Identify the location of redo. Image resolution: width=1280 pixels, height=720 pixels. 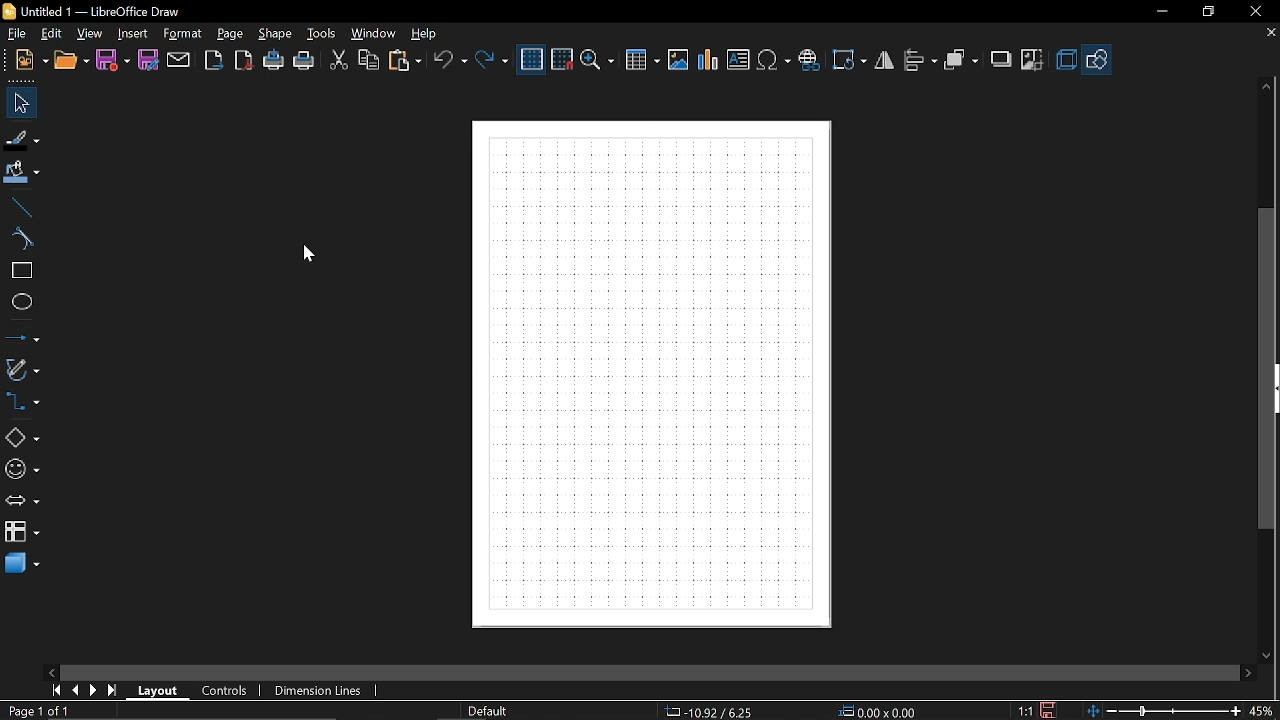
(494, 59).